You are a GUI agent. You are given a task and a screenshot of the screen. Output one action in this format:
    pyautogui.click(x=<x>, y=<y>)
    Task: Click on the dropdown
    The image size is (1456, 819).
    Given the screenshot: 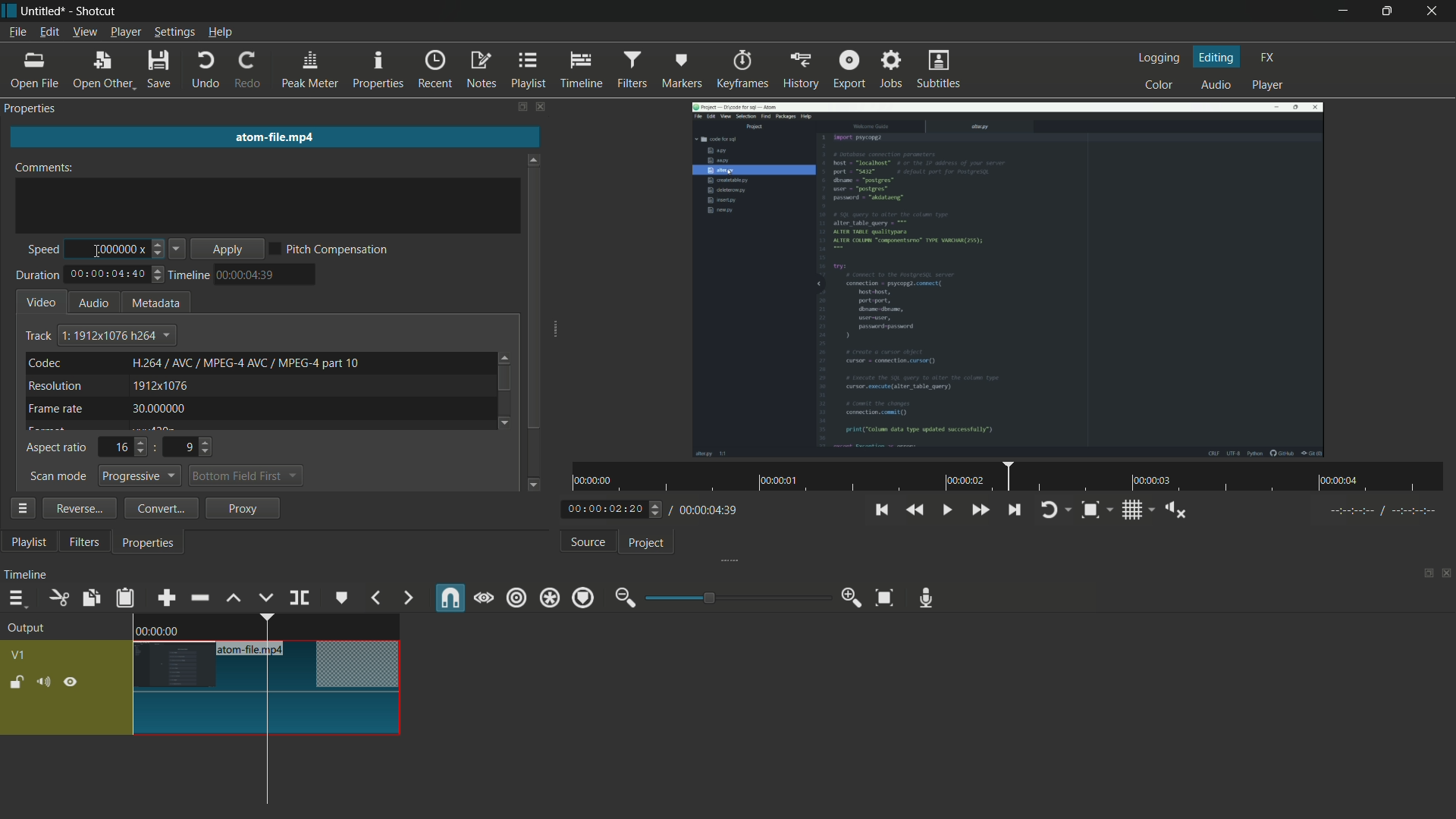 What is the action you would take?
    pyautogui.click(x=293, y=477)
    